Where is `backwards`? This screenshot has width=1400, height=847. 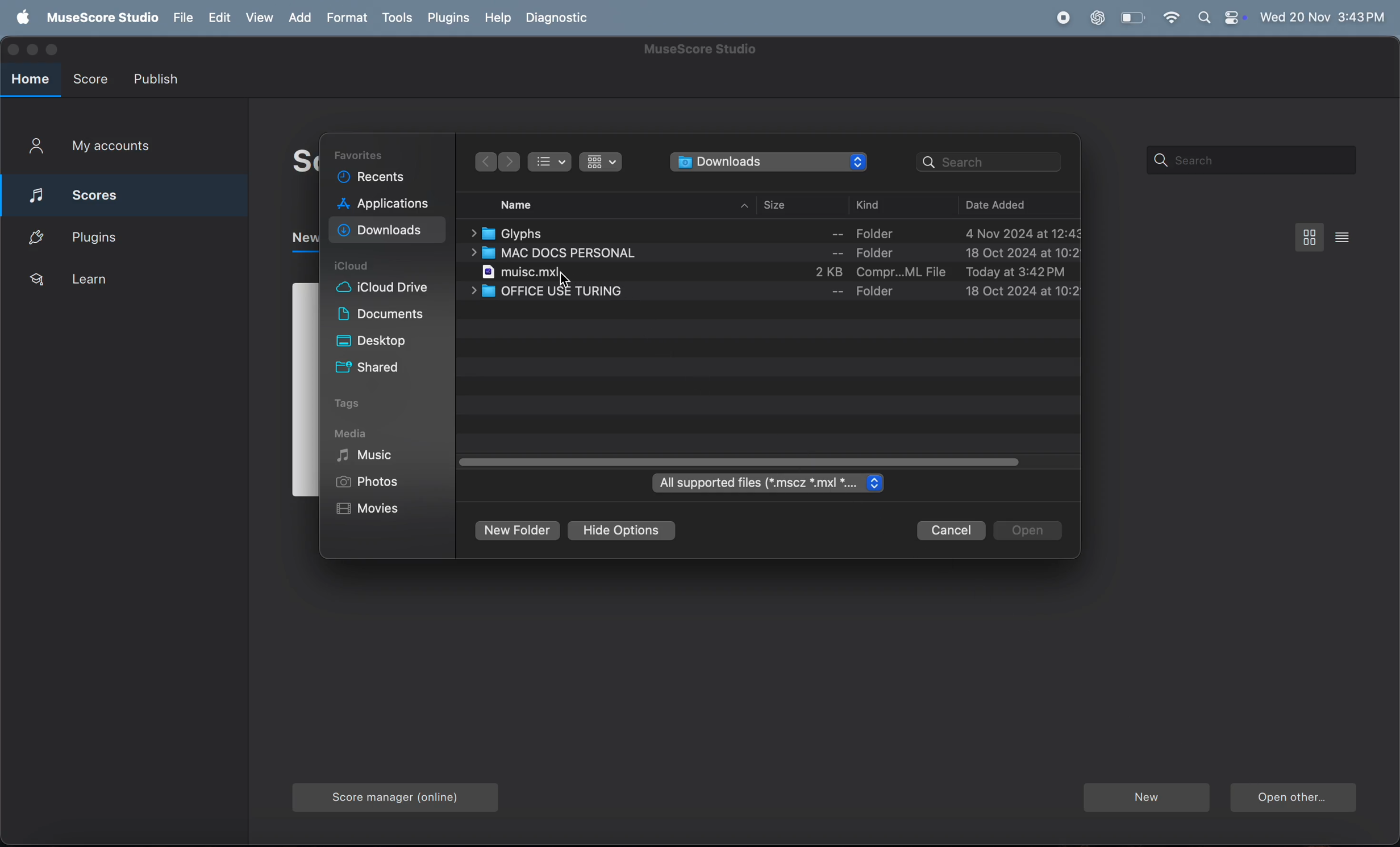
backwards is located at coordinates (510, 162).